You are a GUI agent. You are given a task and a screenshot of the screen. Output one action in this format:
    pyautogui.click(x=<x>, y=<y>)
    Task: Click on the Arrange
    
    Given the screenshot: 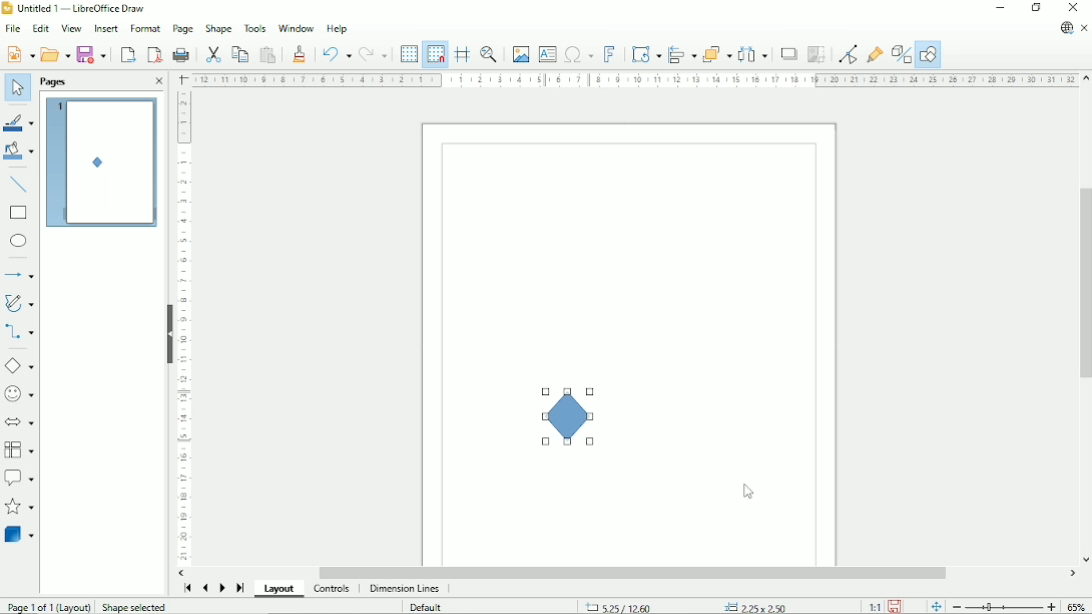 What is the action you would take?
    pyautogui.click(x=717, y=53)
    